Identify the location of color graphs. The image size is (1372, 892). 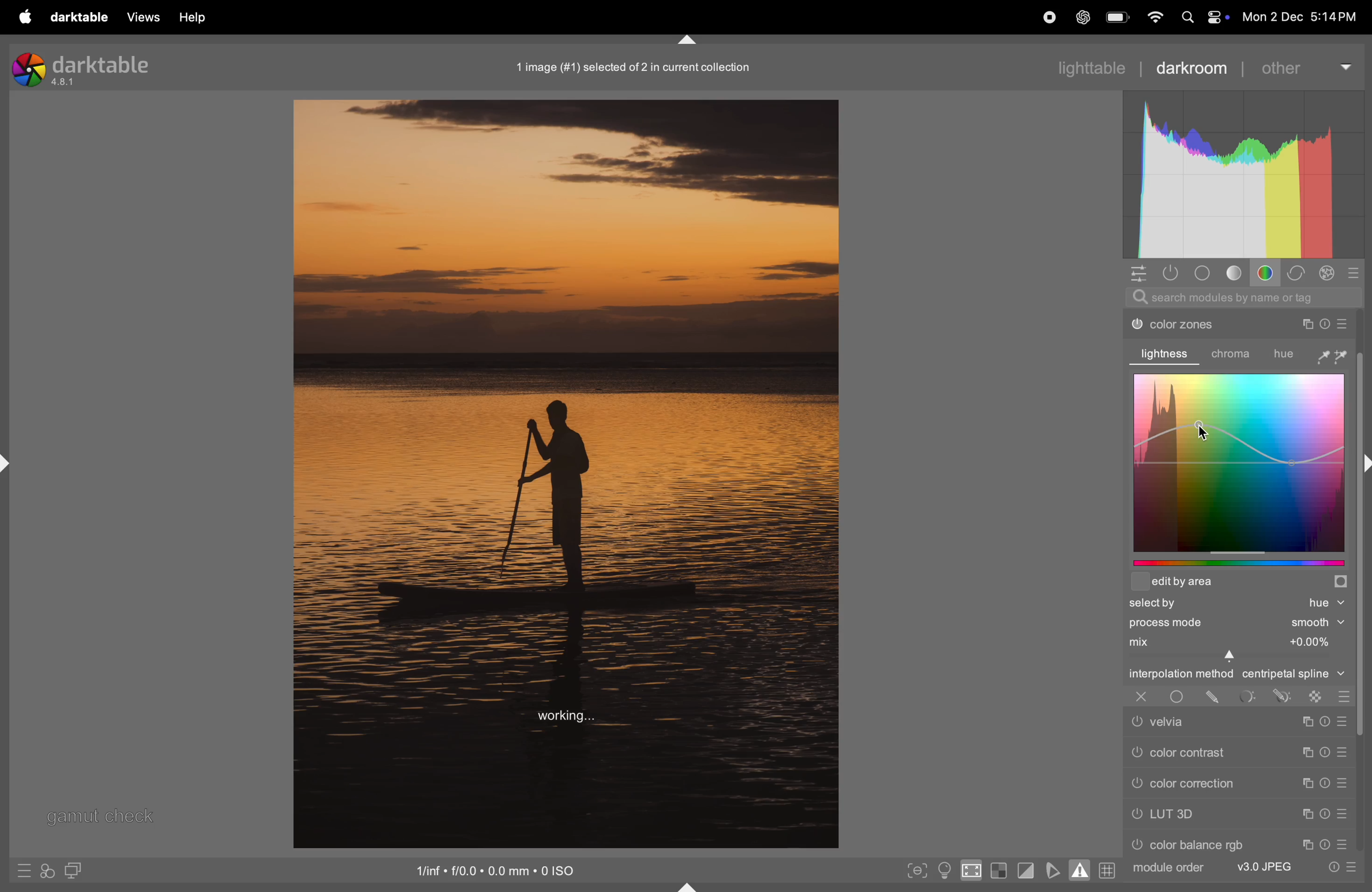
(1238, 463).